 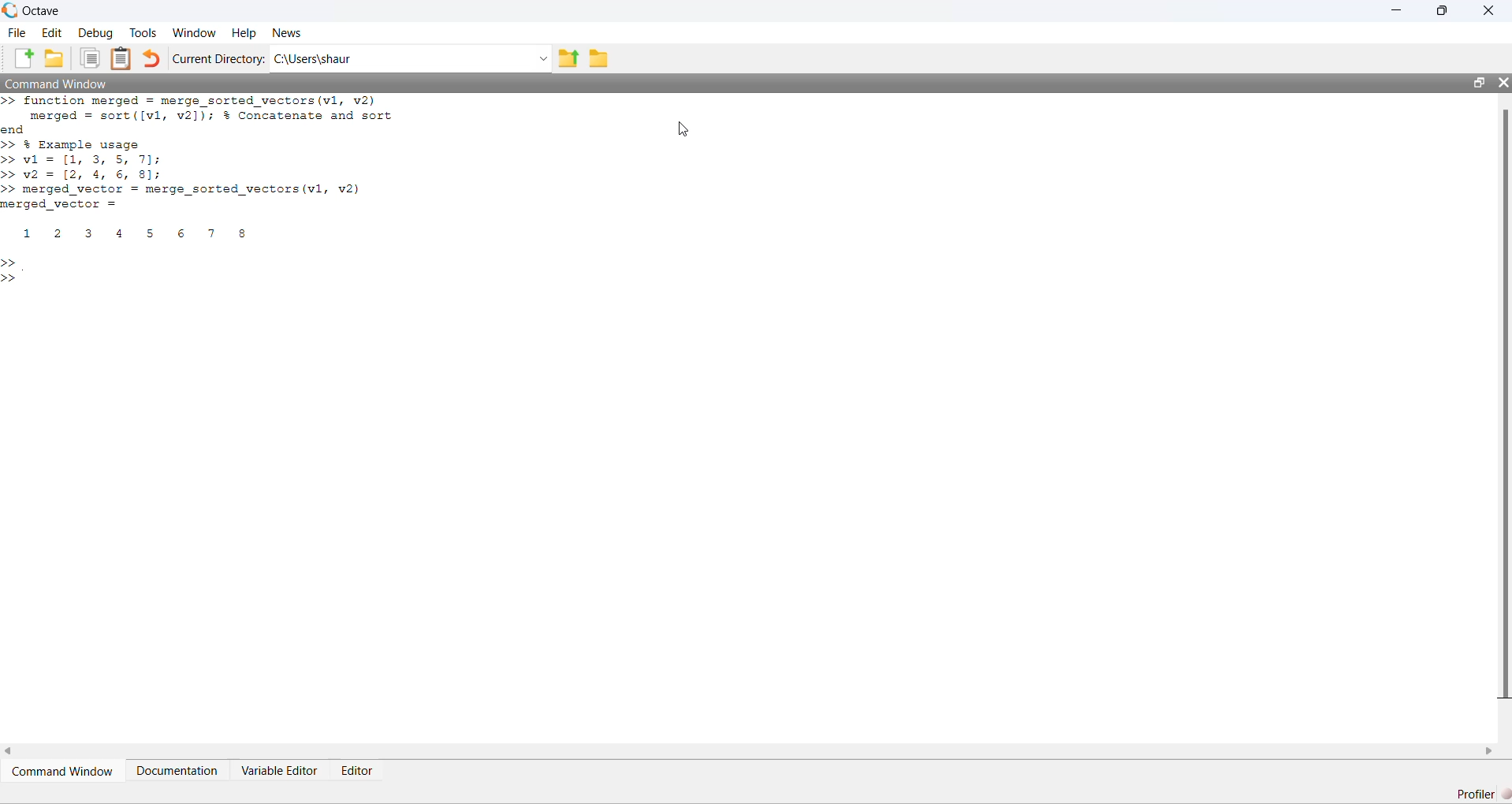 What do you see at coordinates (43, 11) in the screenshot?
I see `octave` at bounding box center [43, 11].